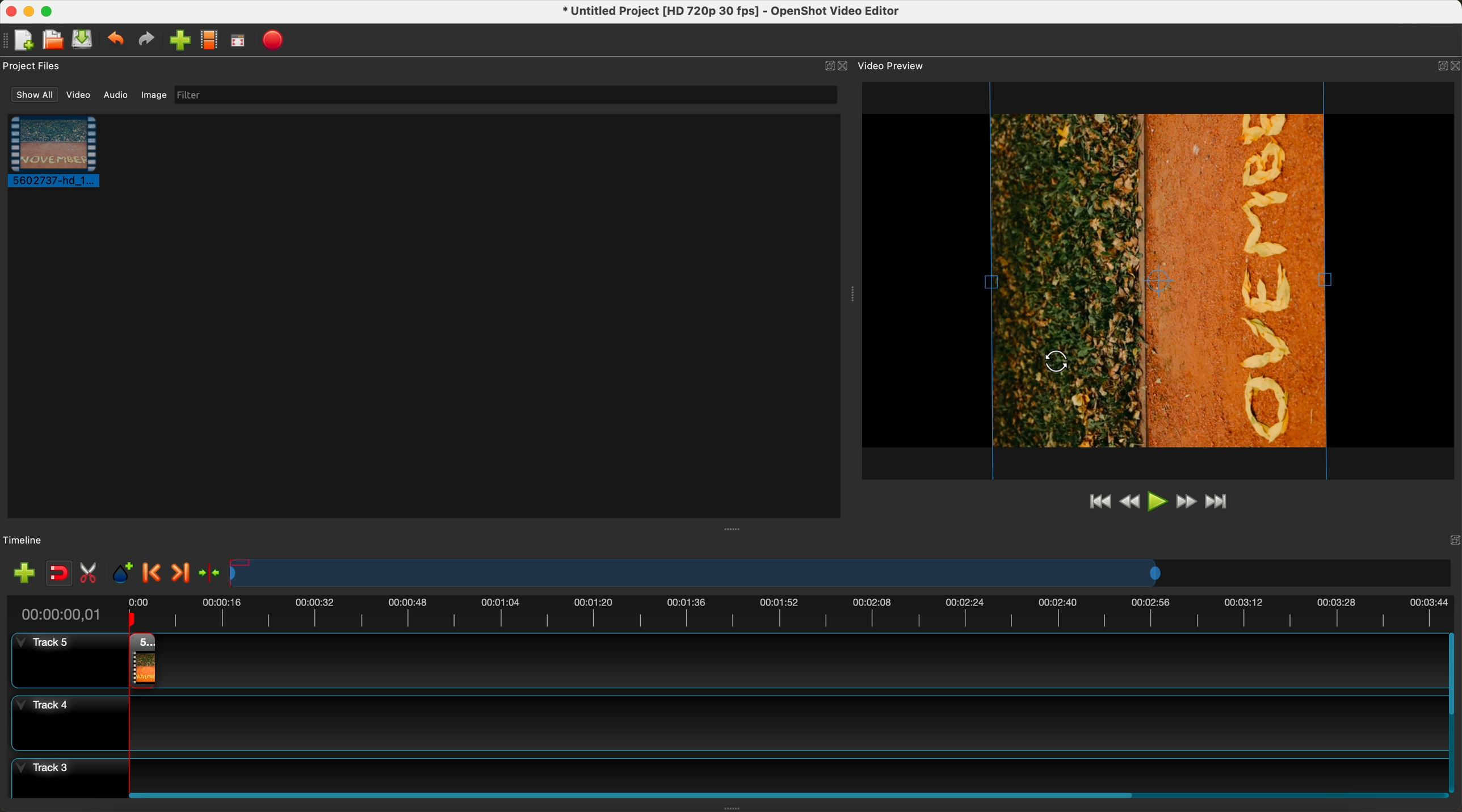 The image size is (1462, 812). What do you see at coordinates (26, 39) in the screenshot?
I see `new project` at bounding box center [26, 39].